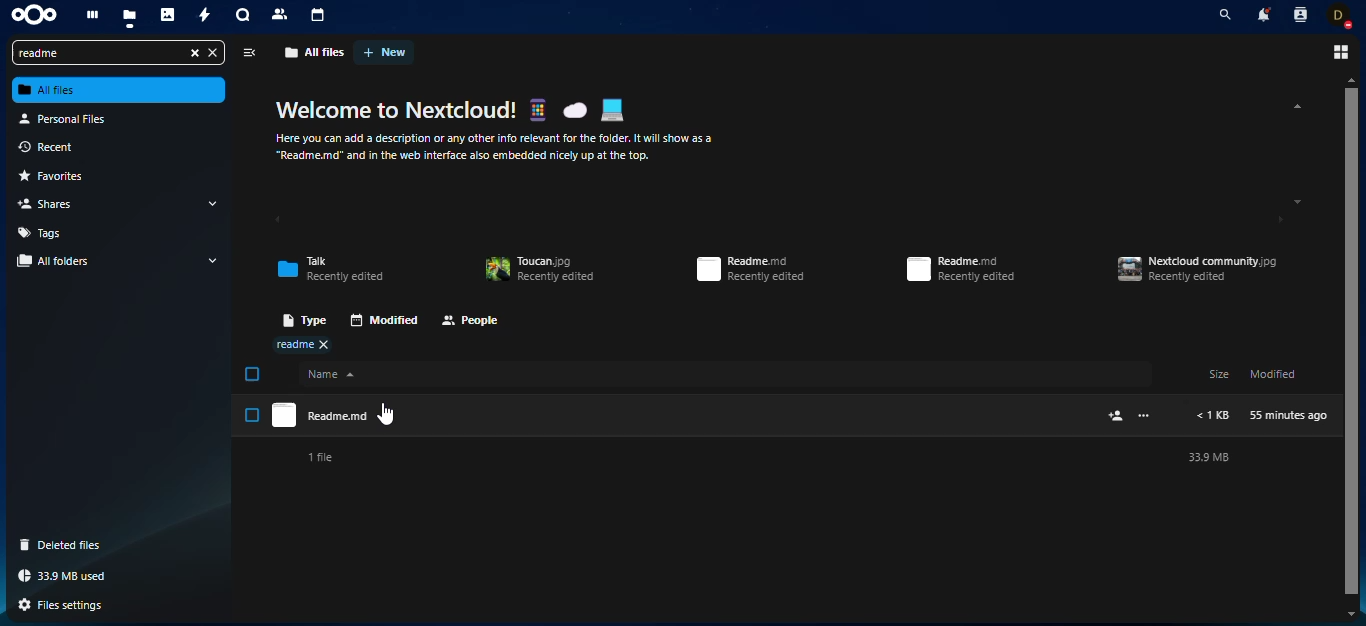  I want to click on Click to select, so click(252, 415).